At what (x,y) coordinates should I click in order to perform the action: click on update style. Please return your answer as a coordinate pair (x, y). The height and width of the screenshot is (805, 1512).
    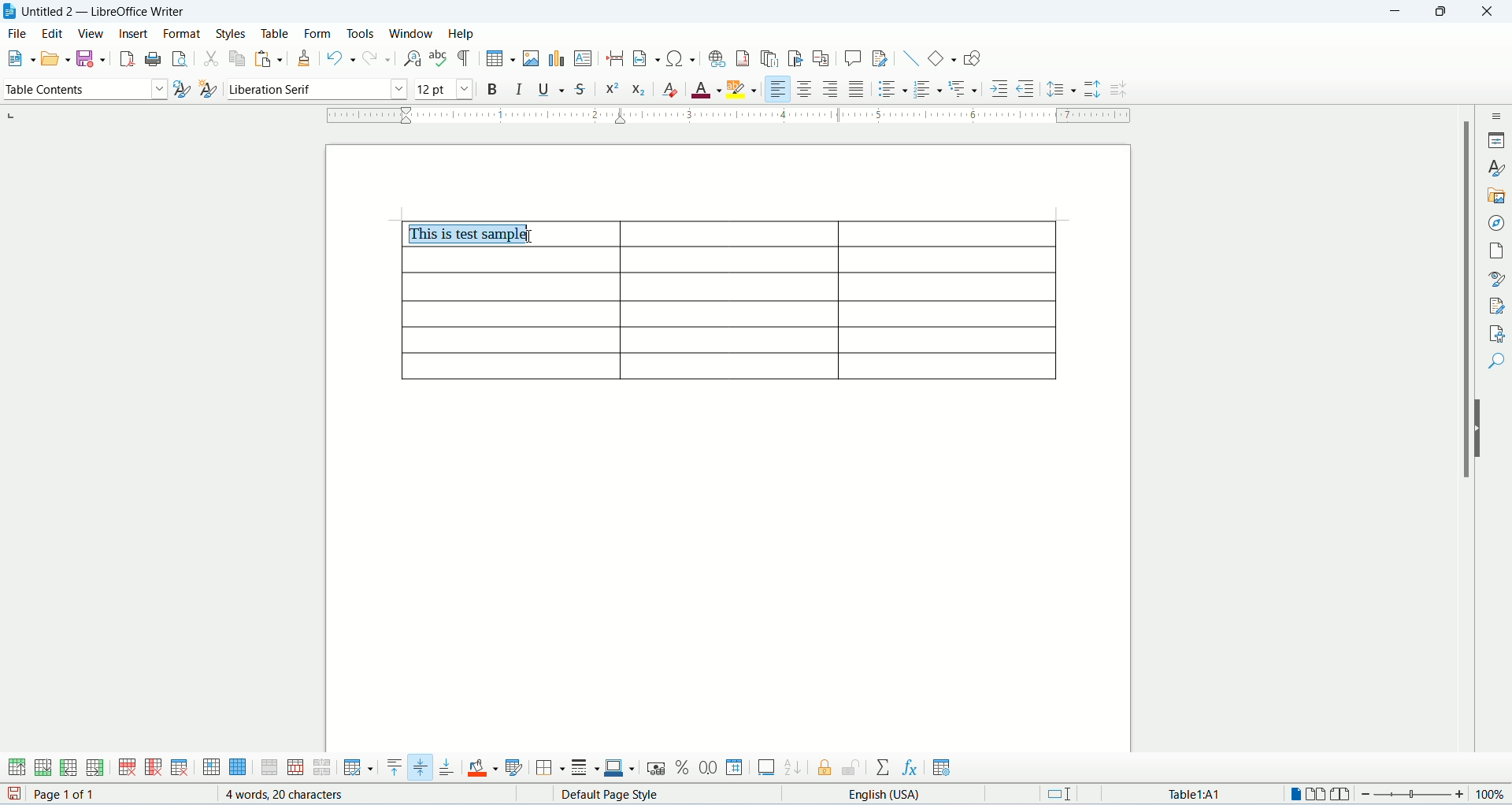
    Looking at the image, I should click on (181, 91).